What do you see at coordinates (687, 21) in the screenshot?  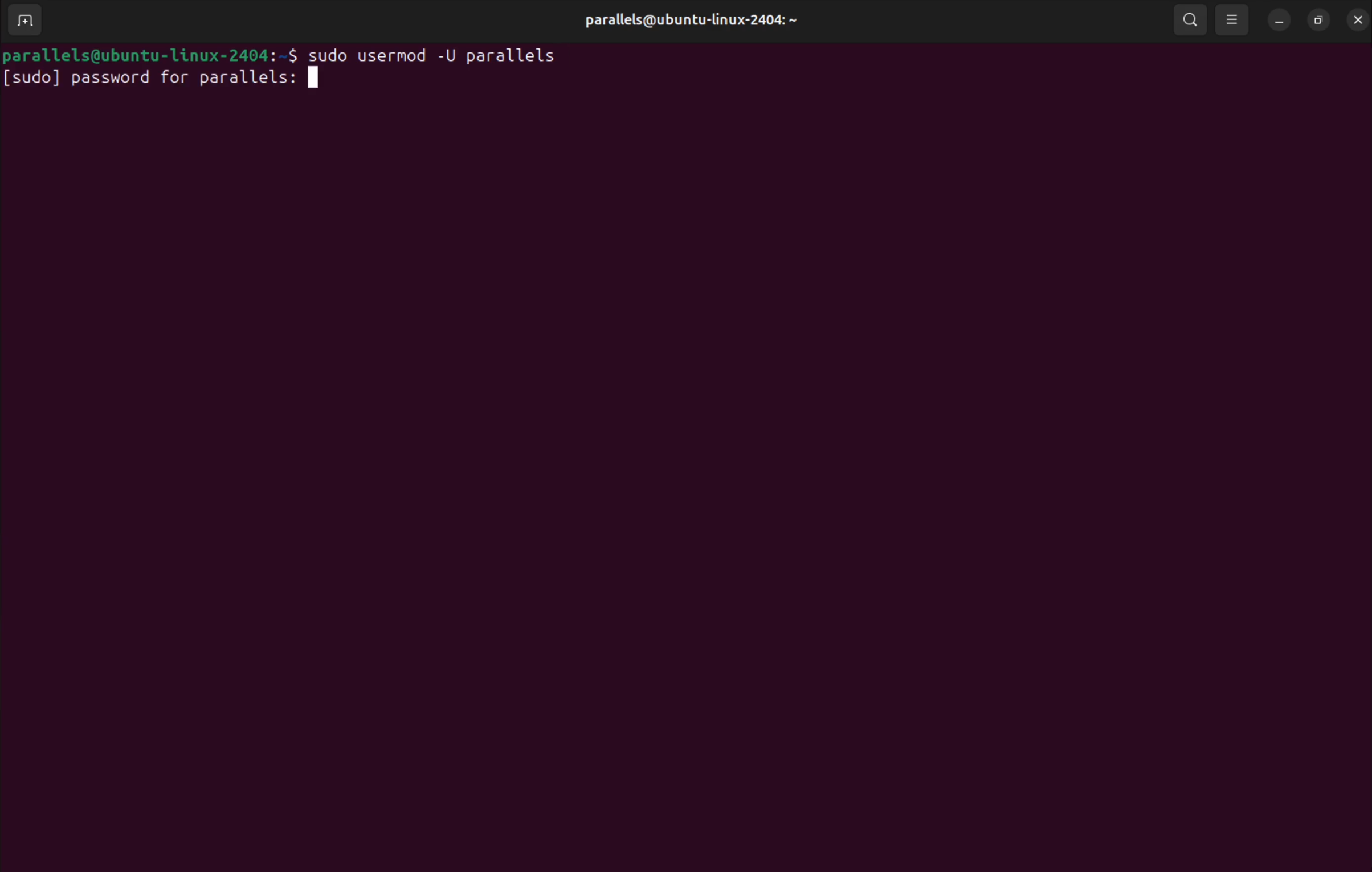 I see `user profile` at bounding box center [687, 21].